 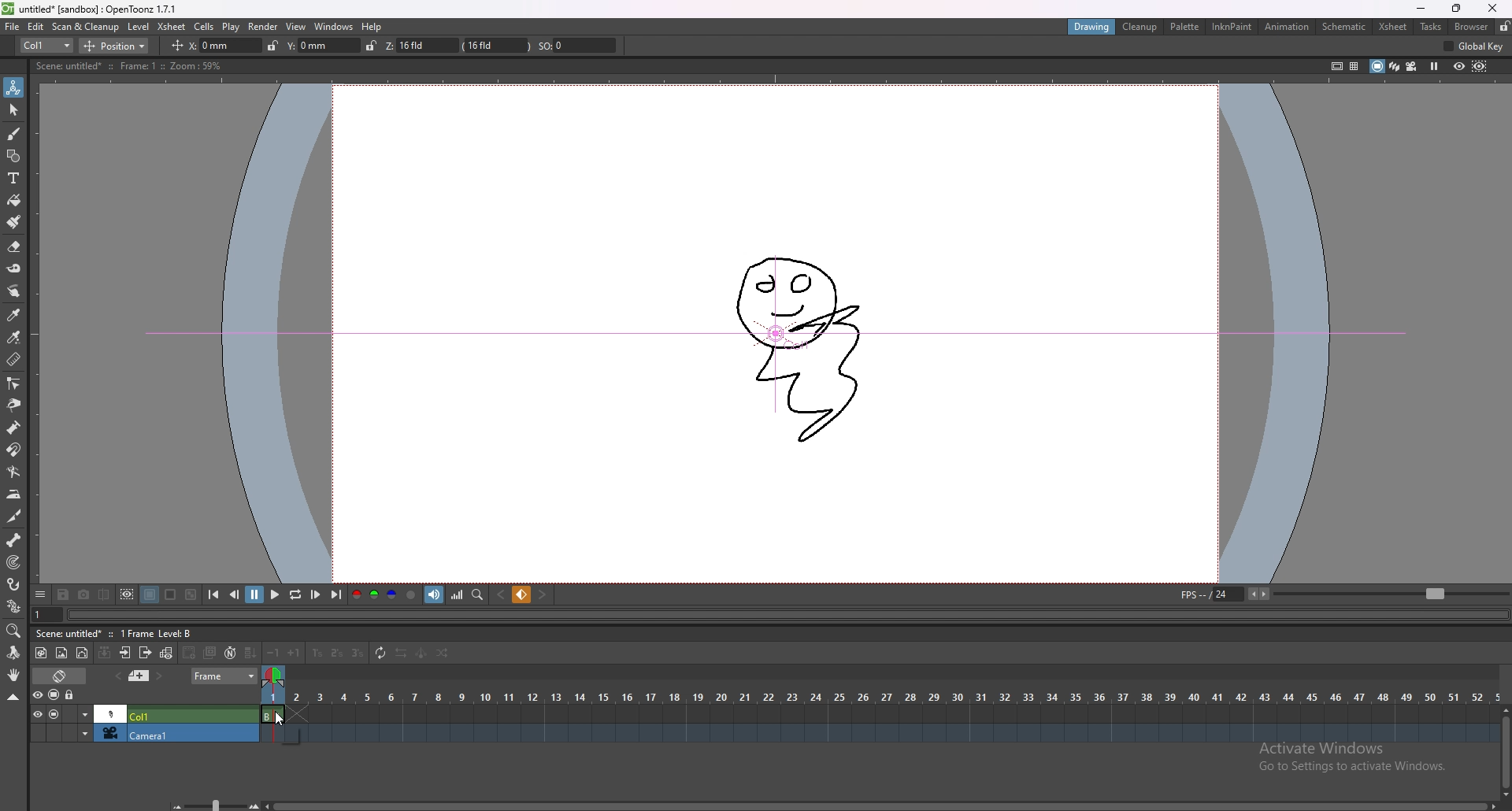 What do you see at coordinates (1091, 25) in the screenshot?
I see `drawing` at bounding box center [1091, 25].